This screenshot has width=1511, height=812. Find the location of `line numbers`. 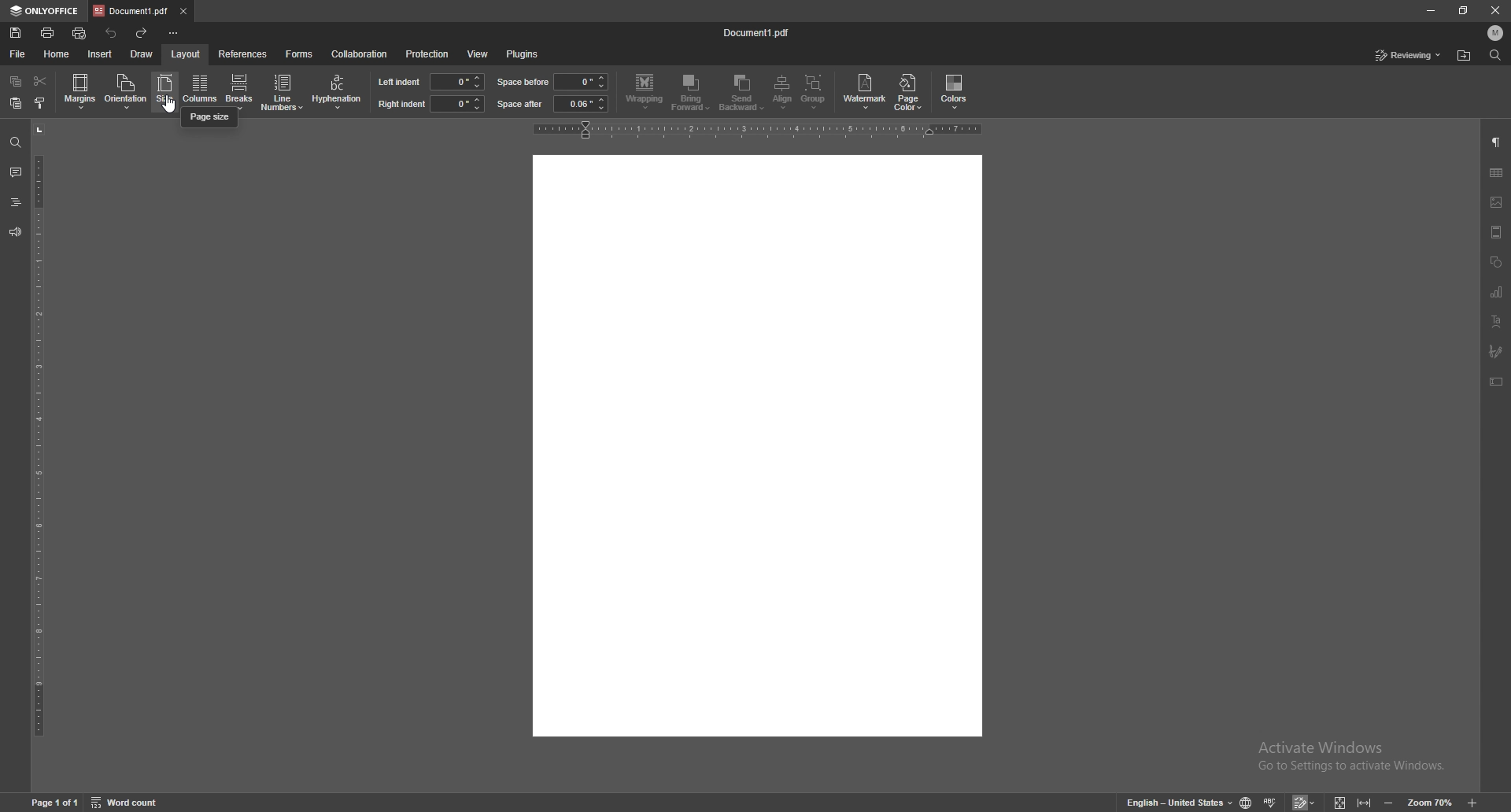

line numbers is located at coordinates (284, 91).